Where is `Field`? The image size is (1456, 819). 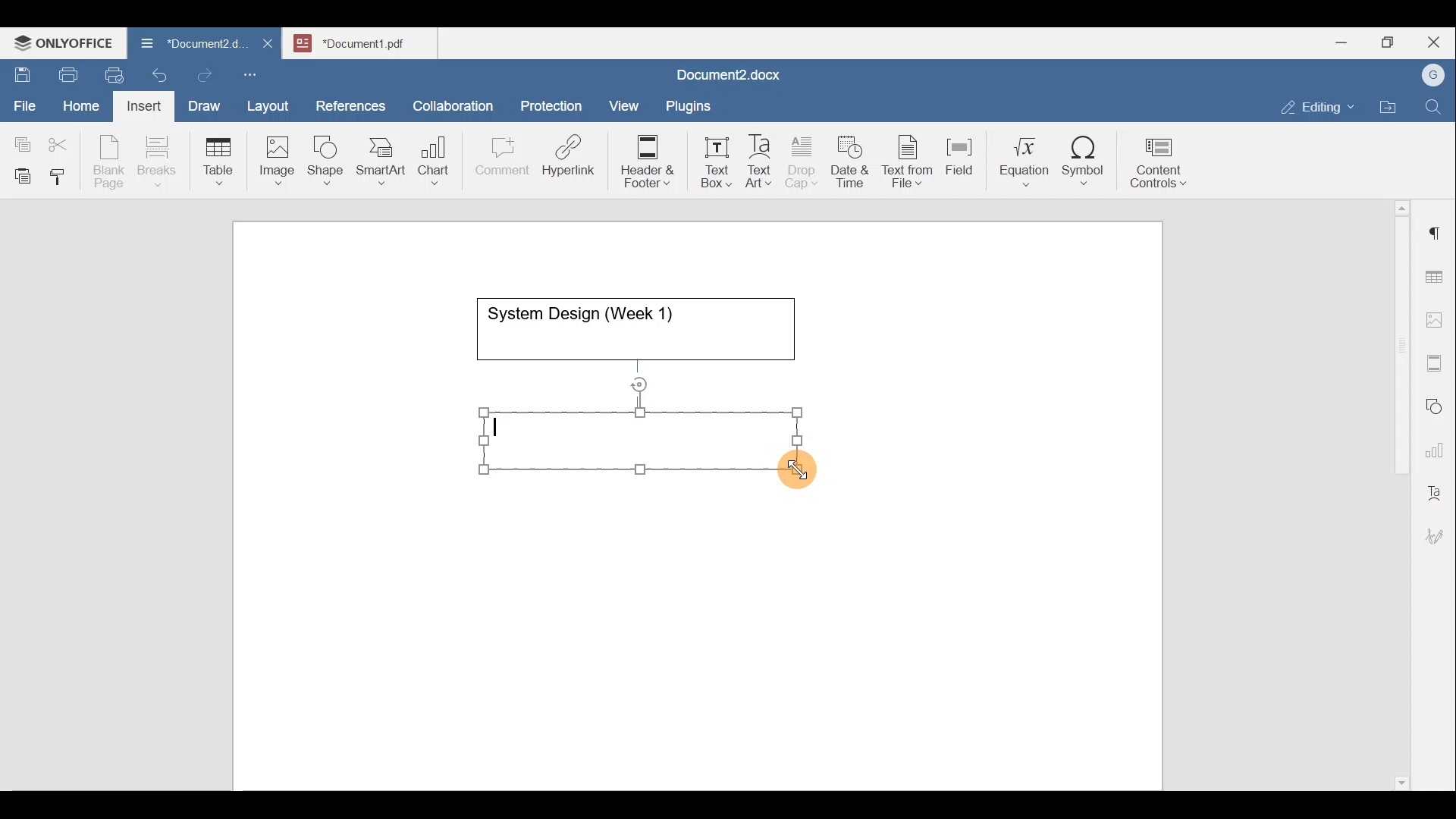 Field is located at coordinates (959, 154).